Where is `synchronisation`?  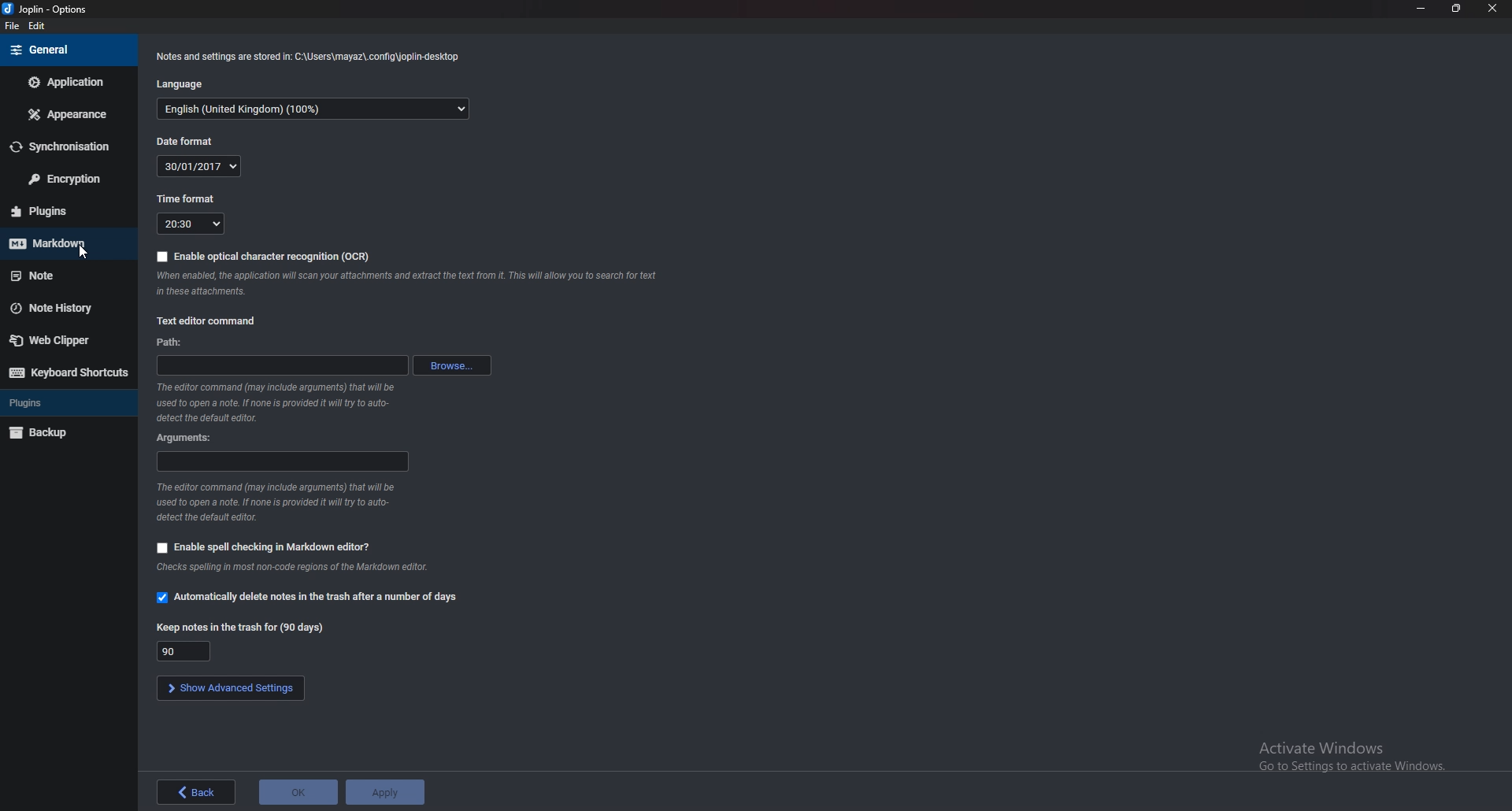 synchronisation is located at coordinates (61, 146).